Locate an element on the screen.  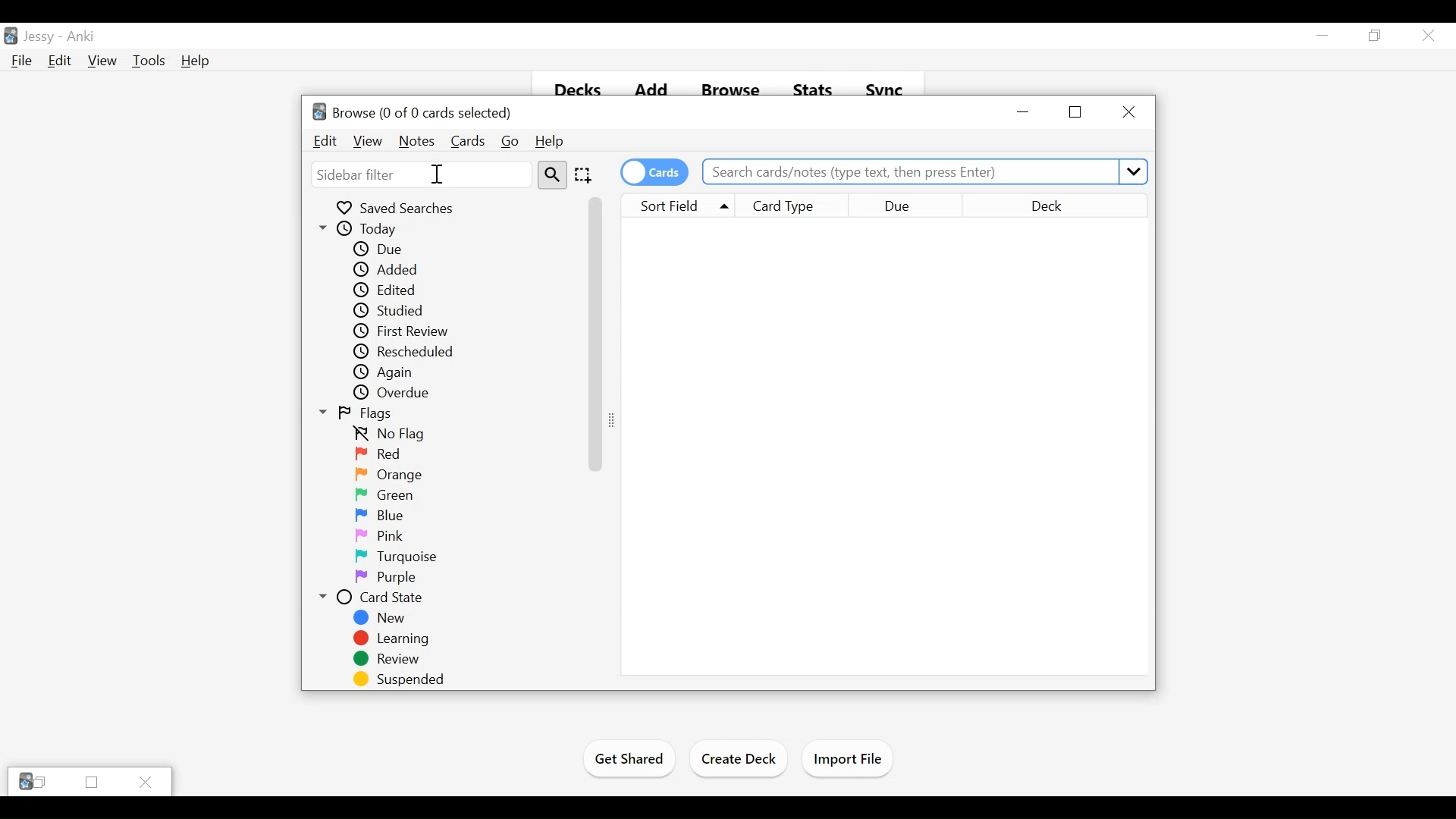
Pink is located at coordinates (380, 535).